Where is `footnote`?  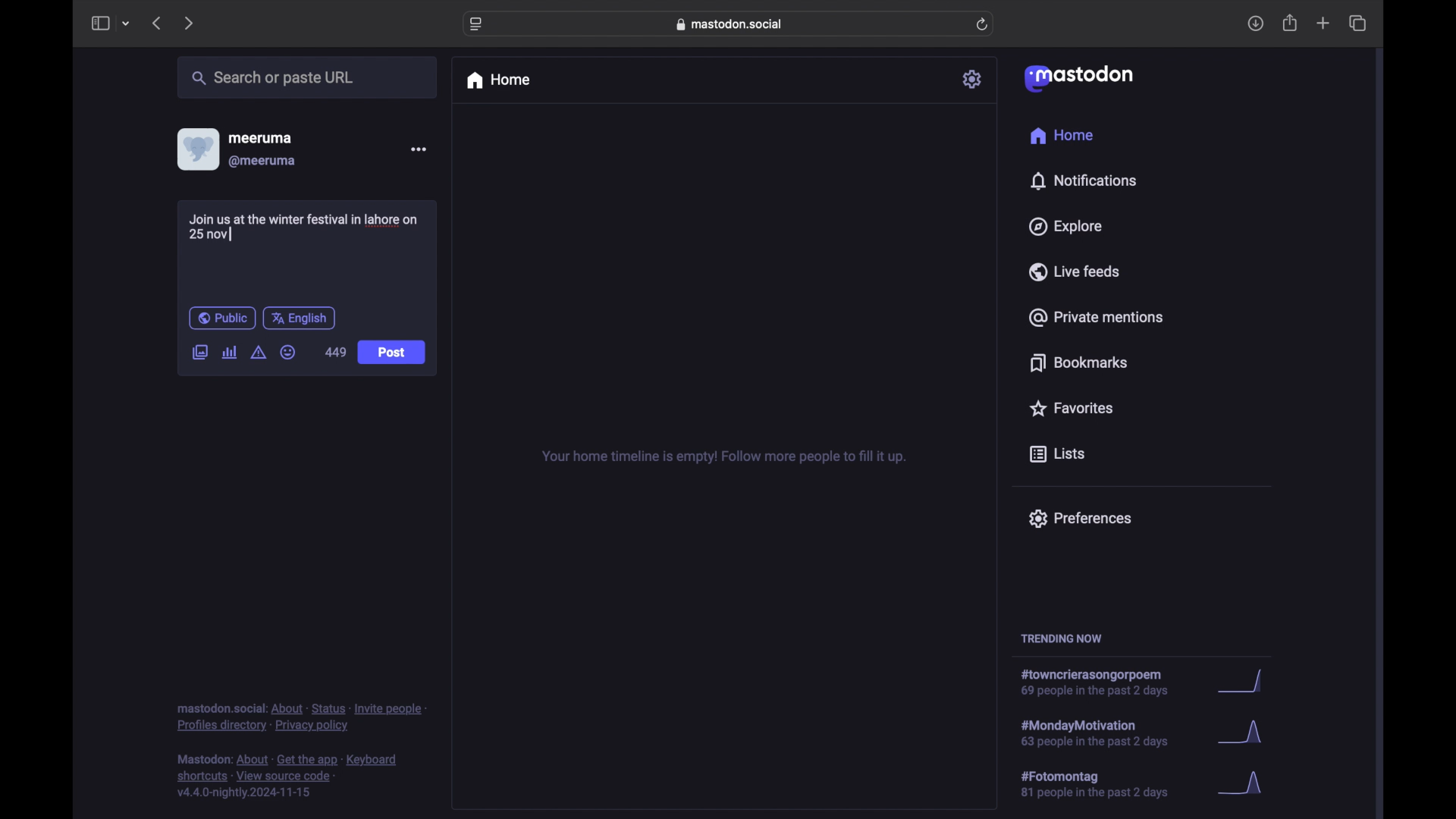
footnote is located at coordinates (290, 777).